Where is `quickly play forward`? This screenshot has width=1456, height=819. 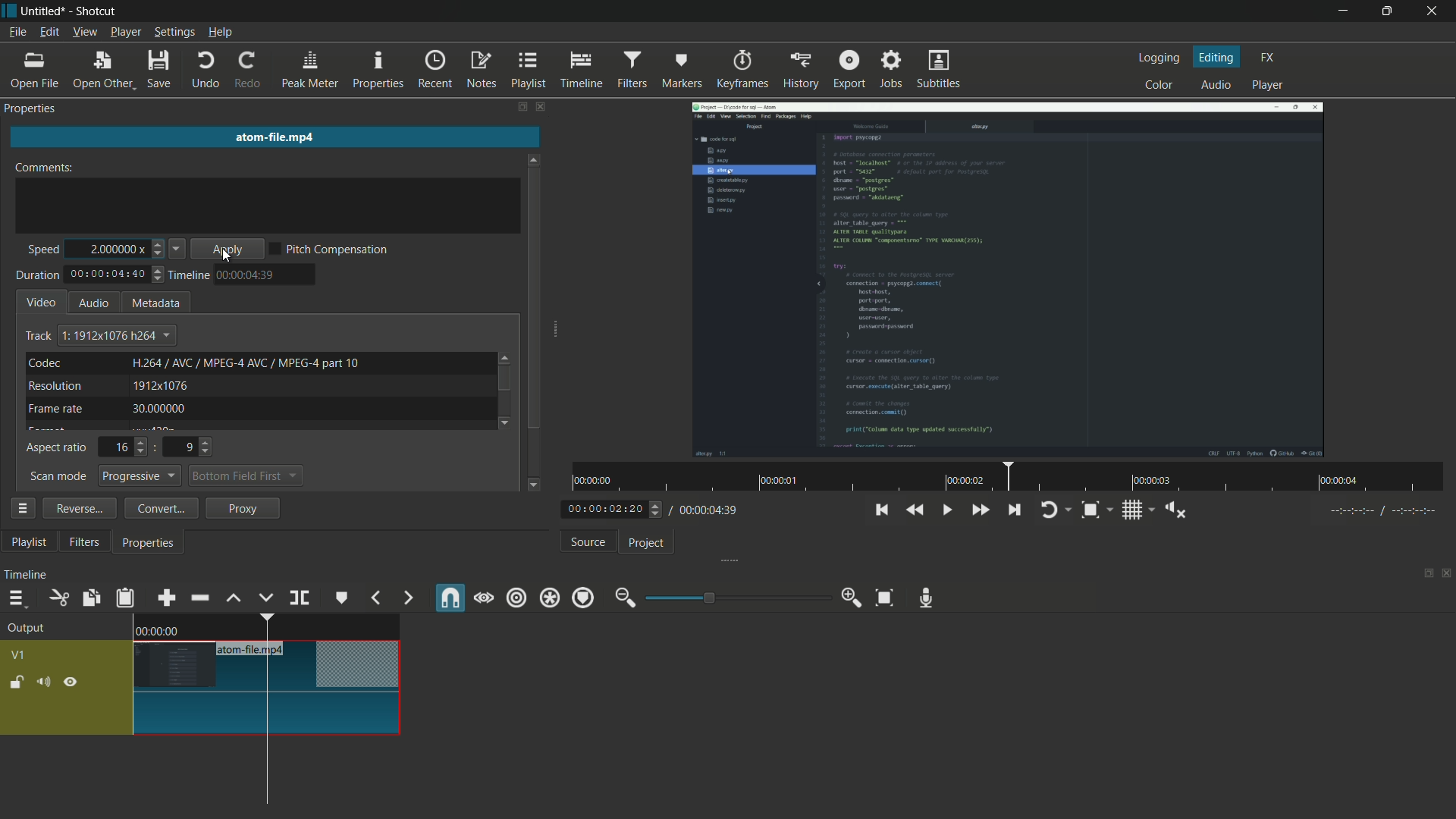
quickly play forward is located at coordinates (982, 511).